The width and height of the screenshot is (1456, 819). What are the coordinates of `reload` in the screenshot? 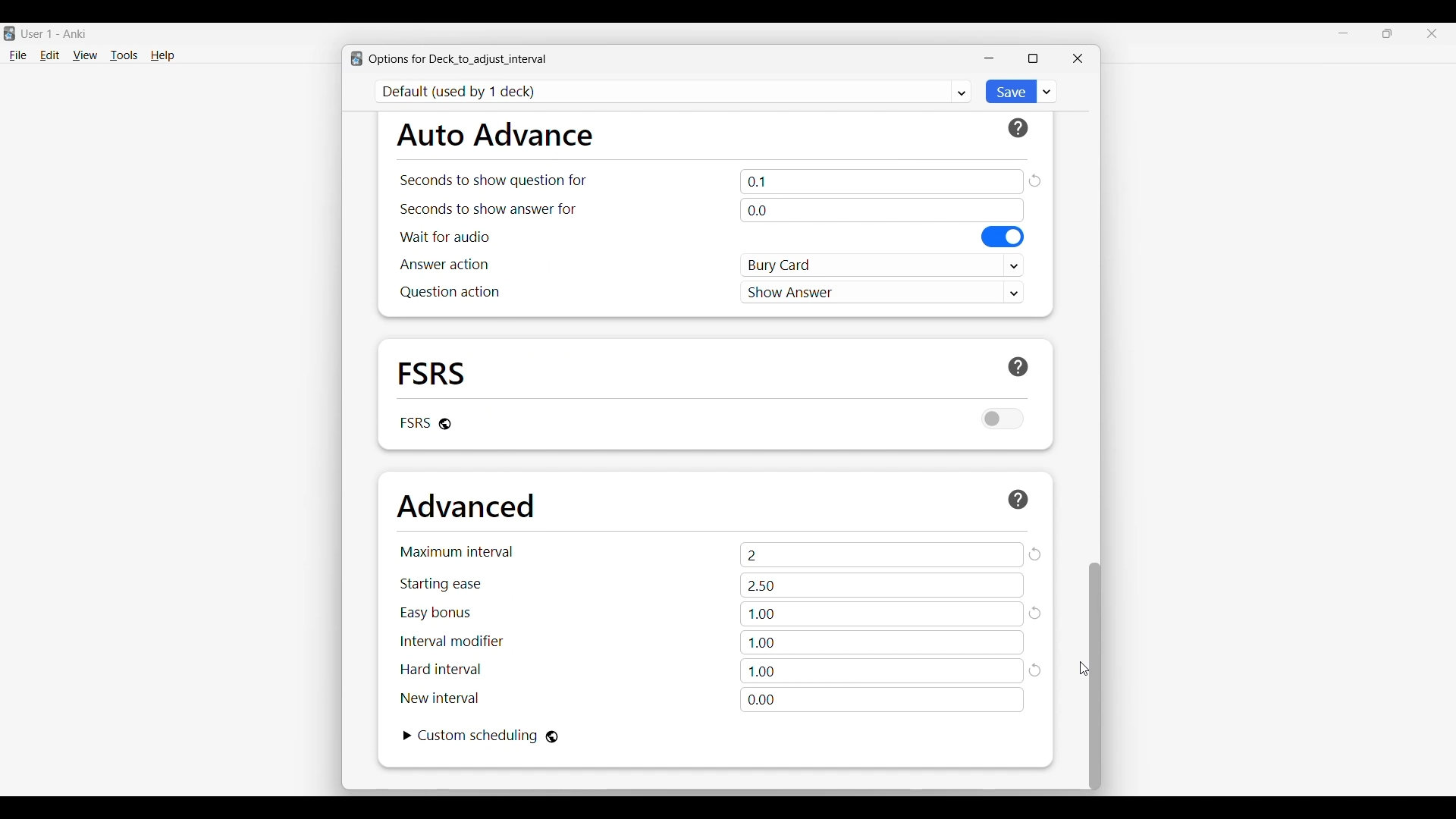 It's located at (1034, 180).